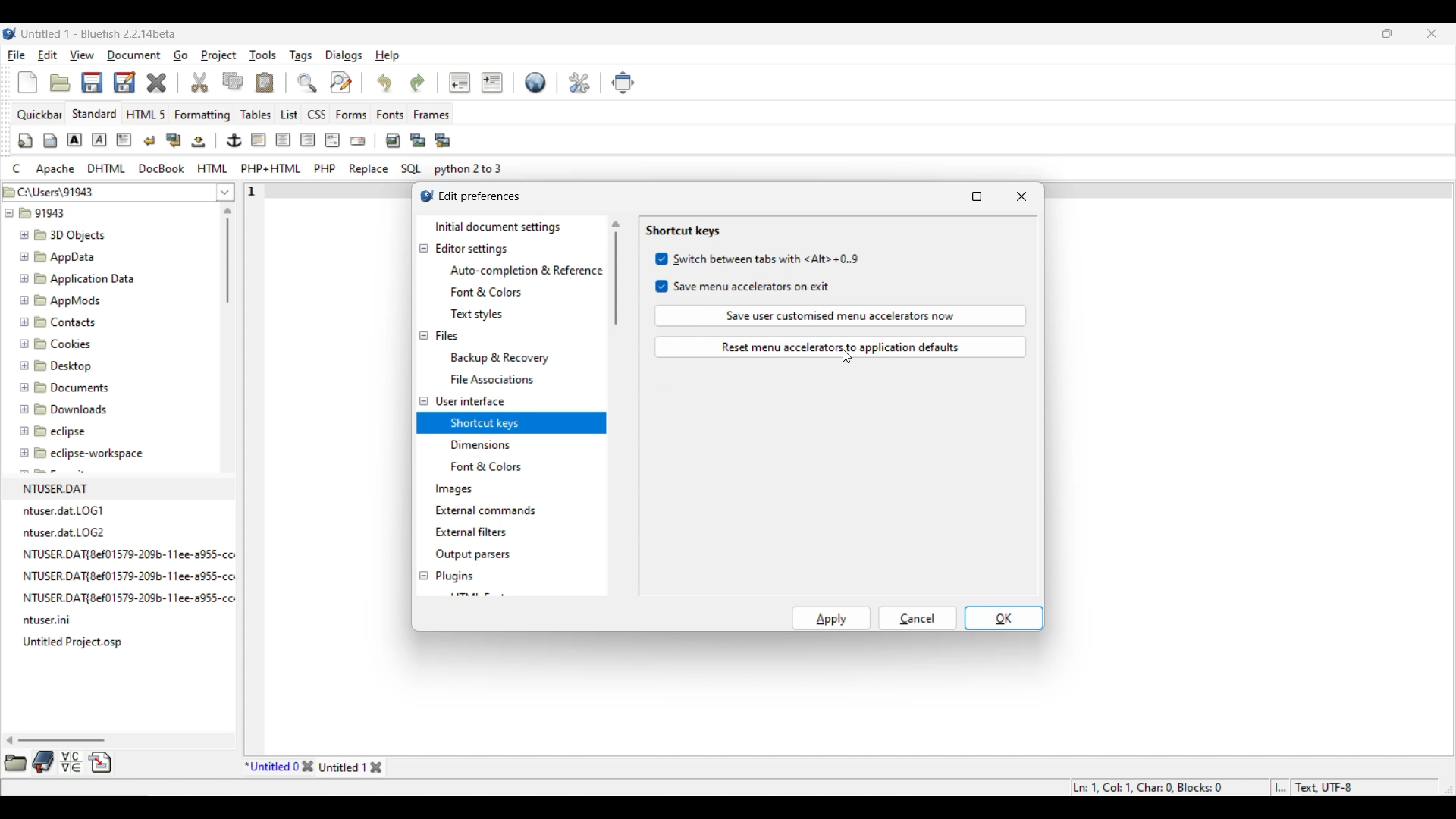 The image size is (1456, 819). Describe the element at coordinates (1021, 196) in the screenshot. I see `Close` at that location.